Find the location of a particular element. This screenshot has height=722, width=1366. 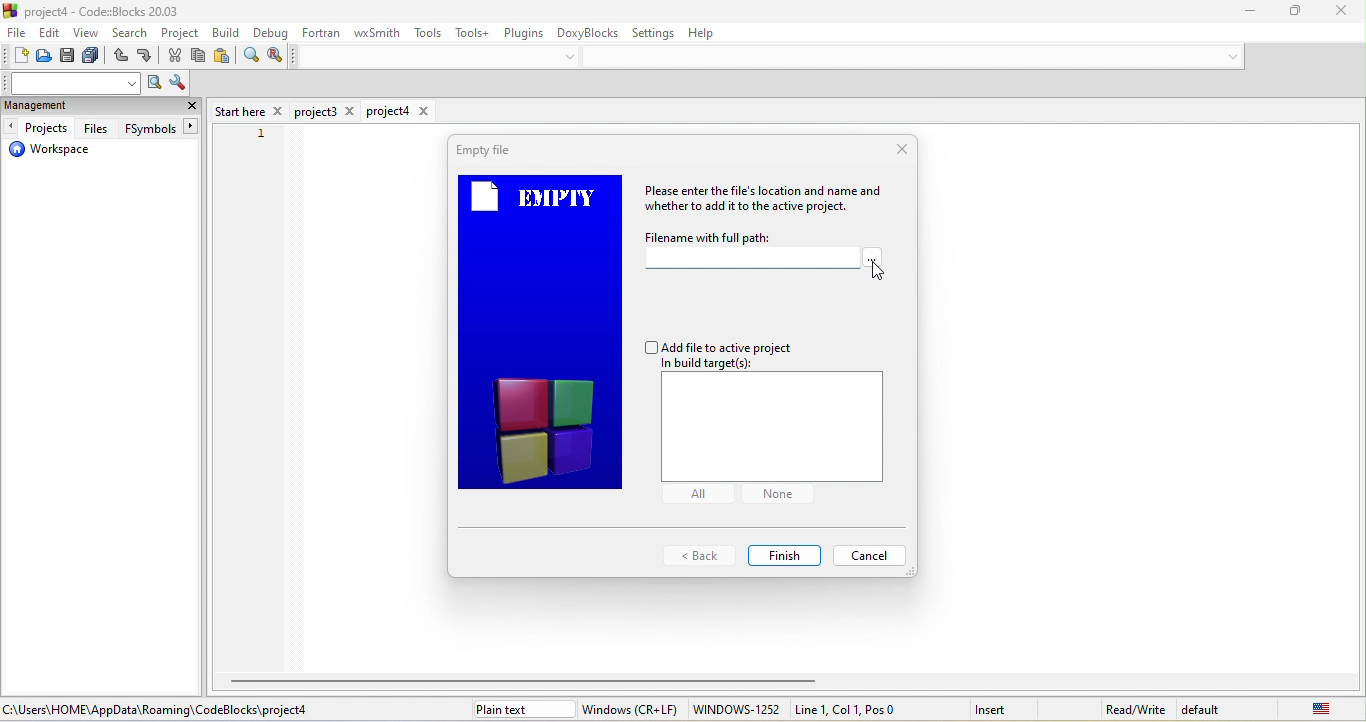

back is located at coordinates (707, 555).